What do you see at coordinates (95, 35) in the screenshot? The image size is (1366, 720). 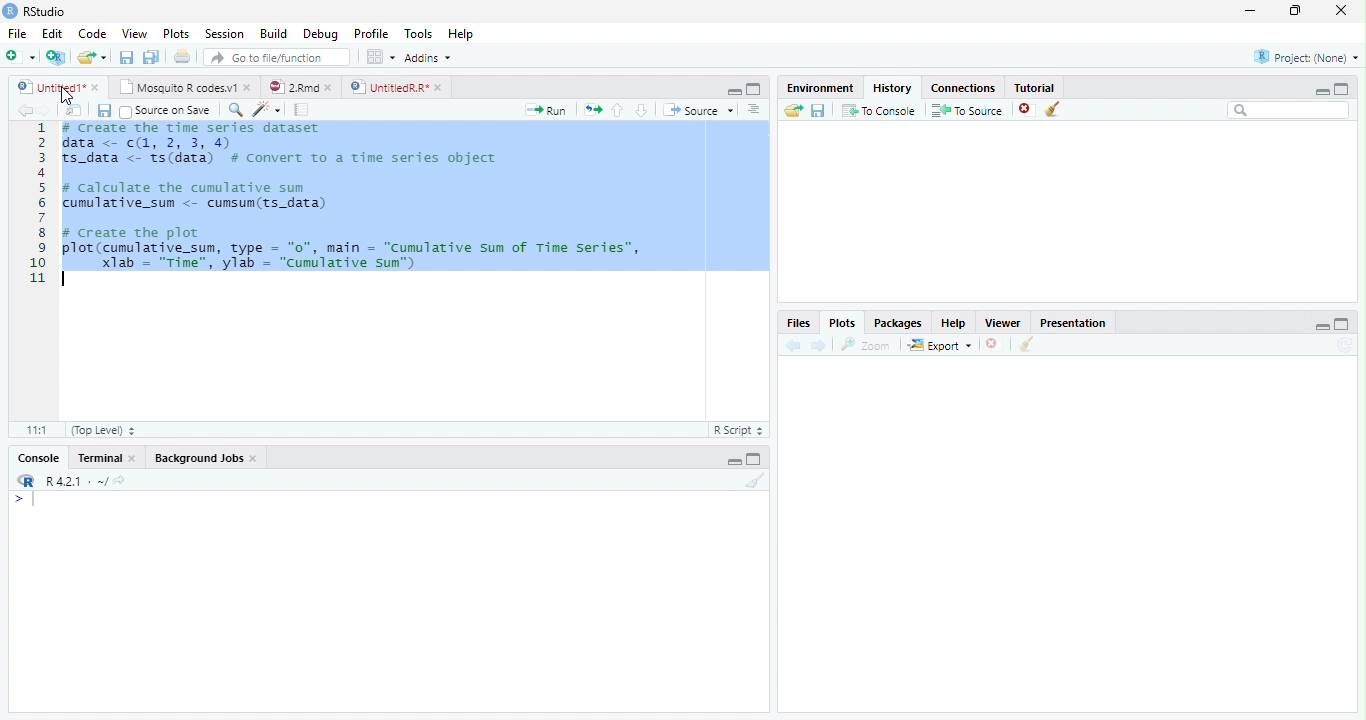 I see `Code` at bounding box center [95, 35].